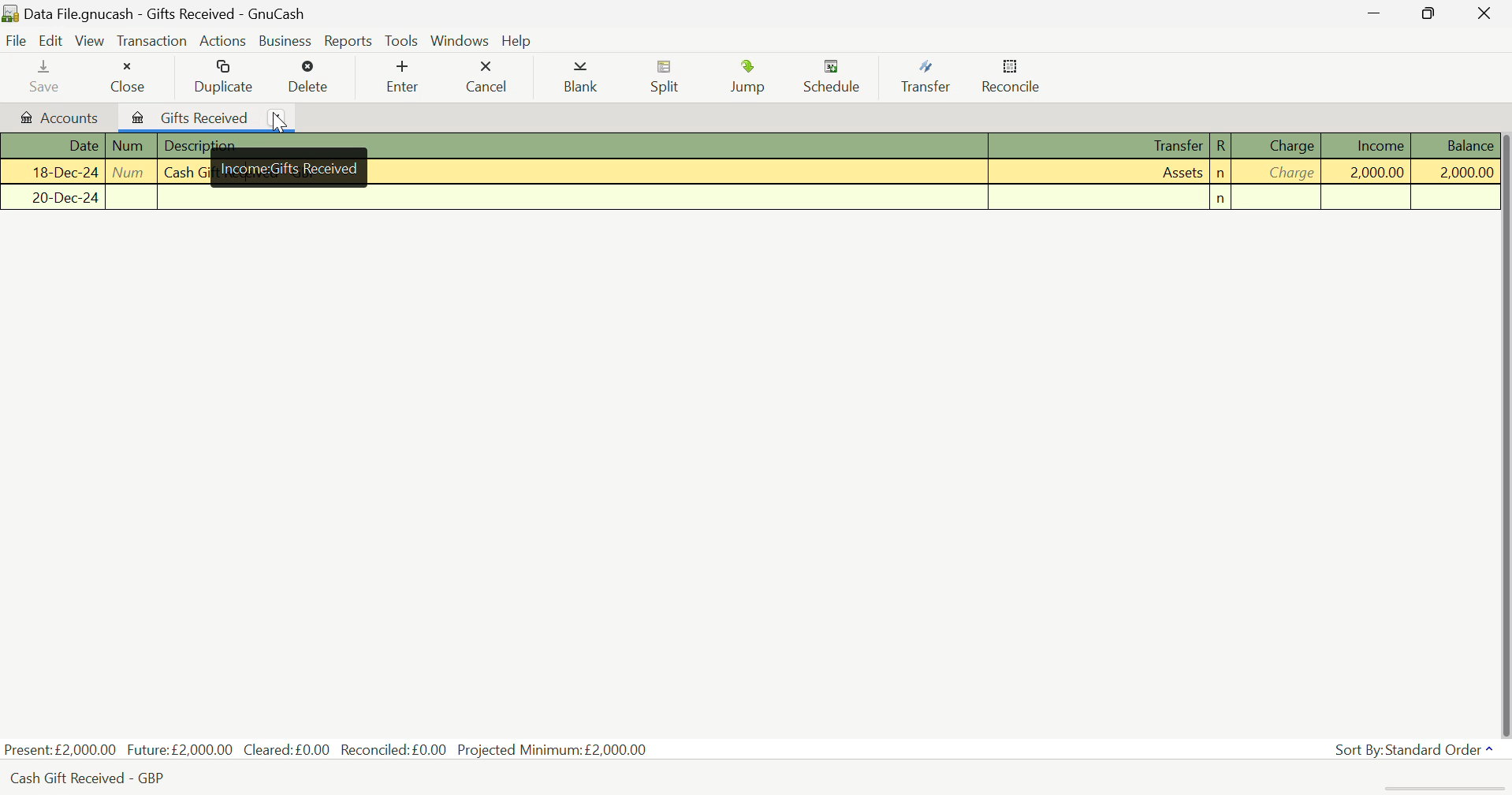 Image resolution: width=1512 pixels, height=795 pixels. What do you see at coordinates (52, 146) in the screenshot?
I see `Date` at bounding box center [52, 146].